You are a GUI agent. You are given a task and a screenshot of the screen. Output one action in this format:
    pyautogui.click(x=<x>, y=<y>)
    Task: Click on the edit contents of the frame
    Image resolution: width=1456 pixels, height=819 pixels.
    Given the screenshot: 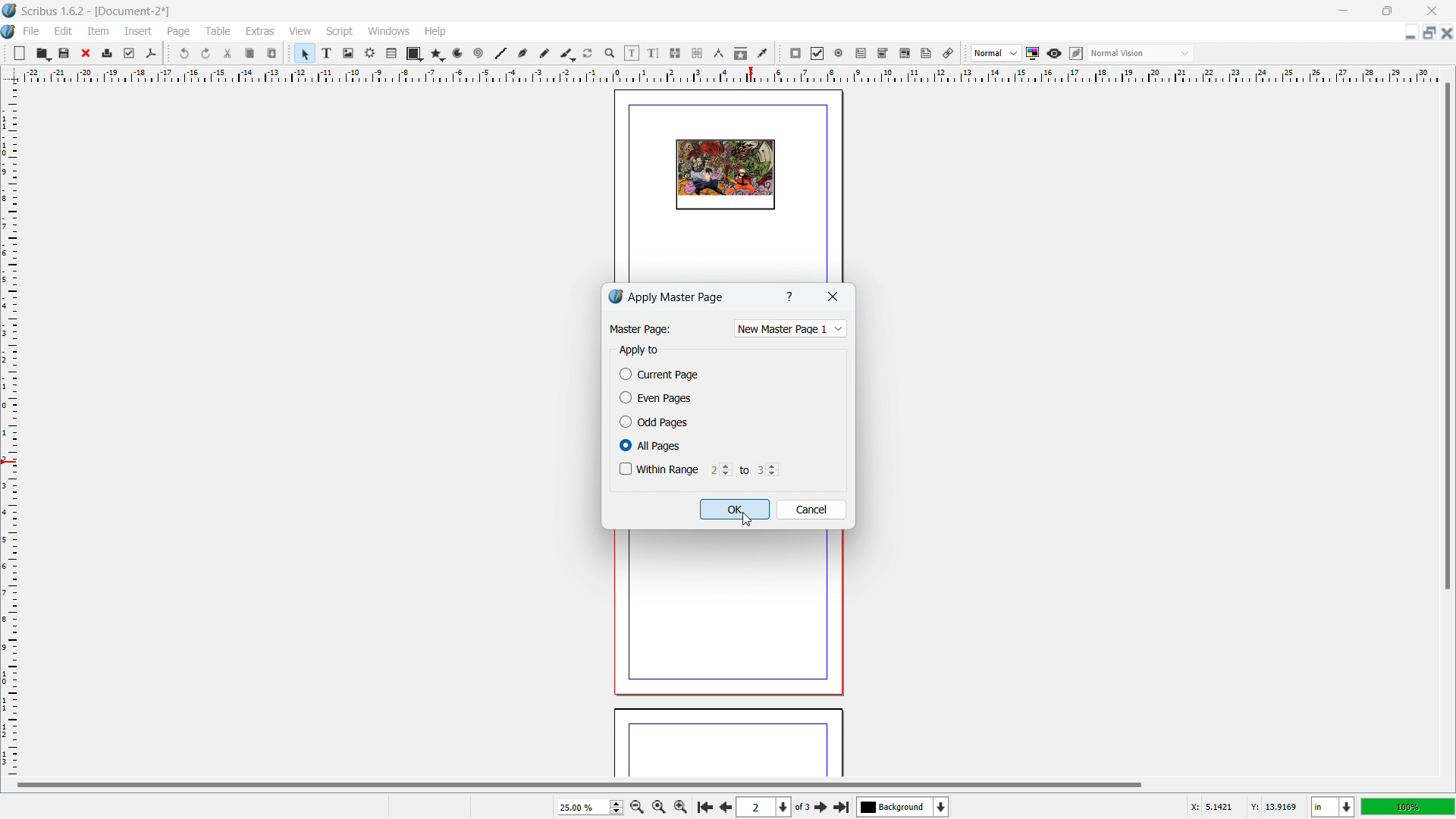 What is the action you would take?
    pyautogui.click(x=632, y=54)
    